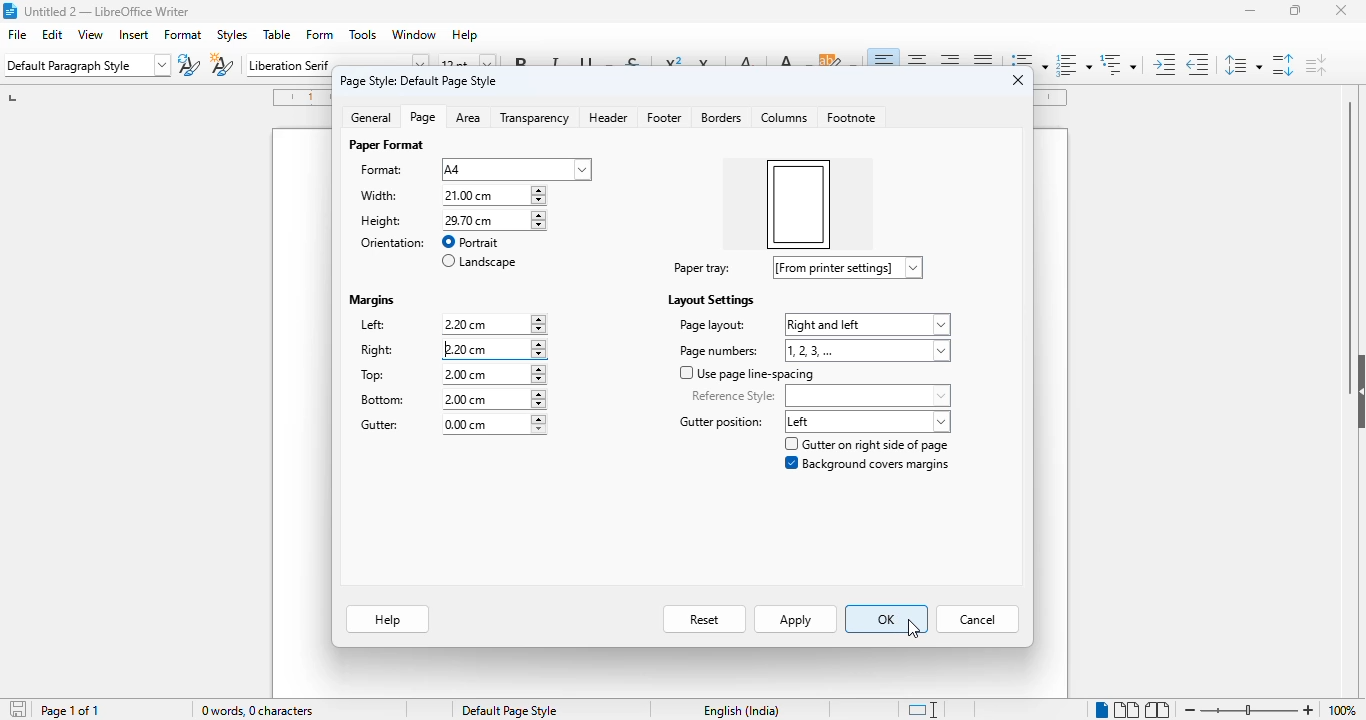 The width and height of the screenshot is (1366, 720). What do you see at coordinates (541, 323) in the screenshot?
I see `increment or decrement` at bounding box center [541, 323].